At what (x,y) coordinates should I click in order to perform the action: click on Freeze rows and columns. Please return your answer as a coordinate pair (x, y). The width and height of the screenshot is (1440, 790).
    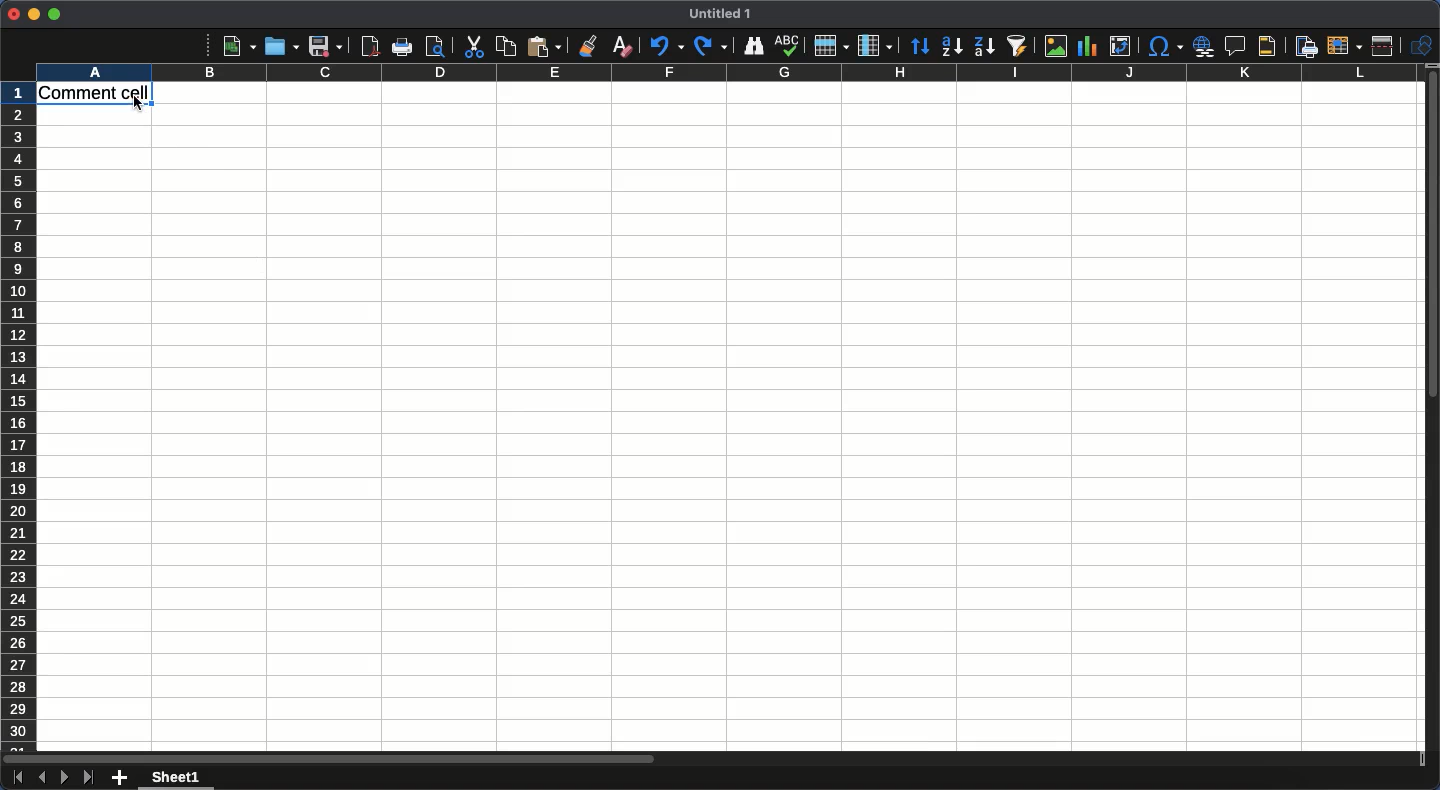
    Looking at the image, I should click on (1344, 45).